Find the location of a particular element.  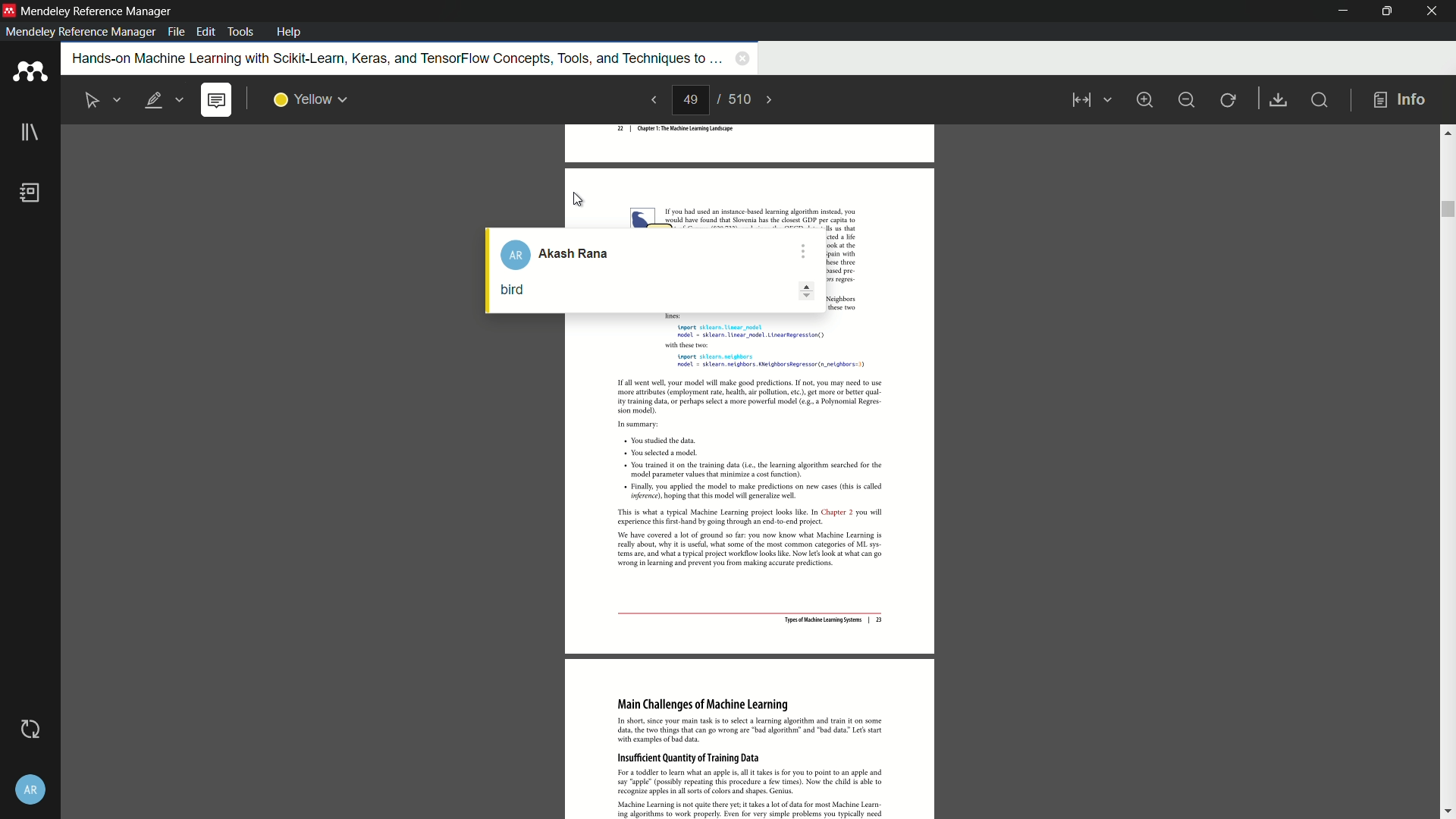

close app is located at coordinates (1432, 11).